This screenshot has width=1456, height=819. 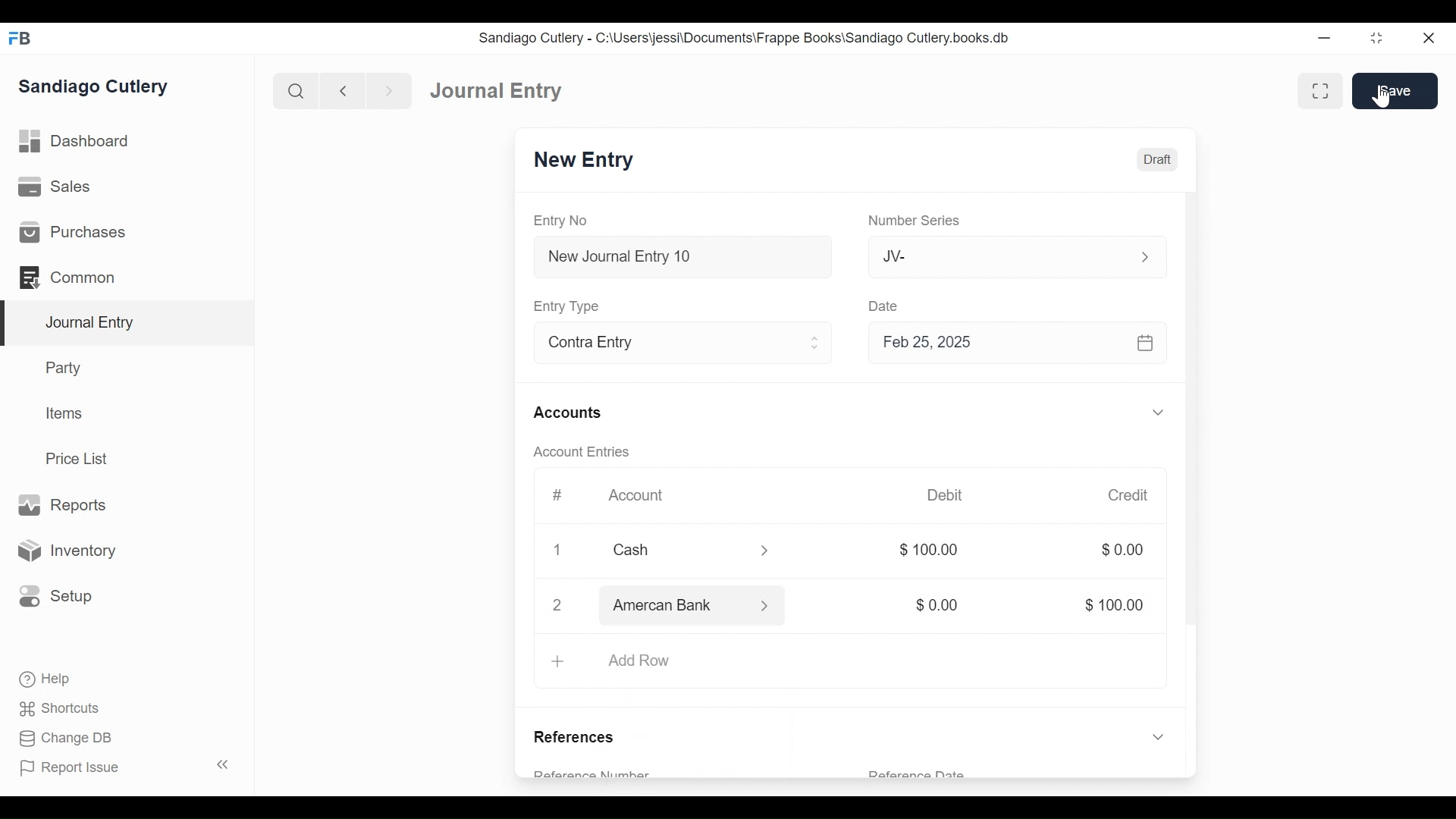 What do you see at coordinates (765, 550) in the screenshot?
I see `Expand` at bounding box center [765, 550].